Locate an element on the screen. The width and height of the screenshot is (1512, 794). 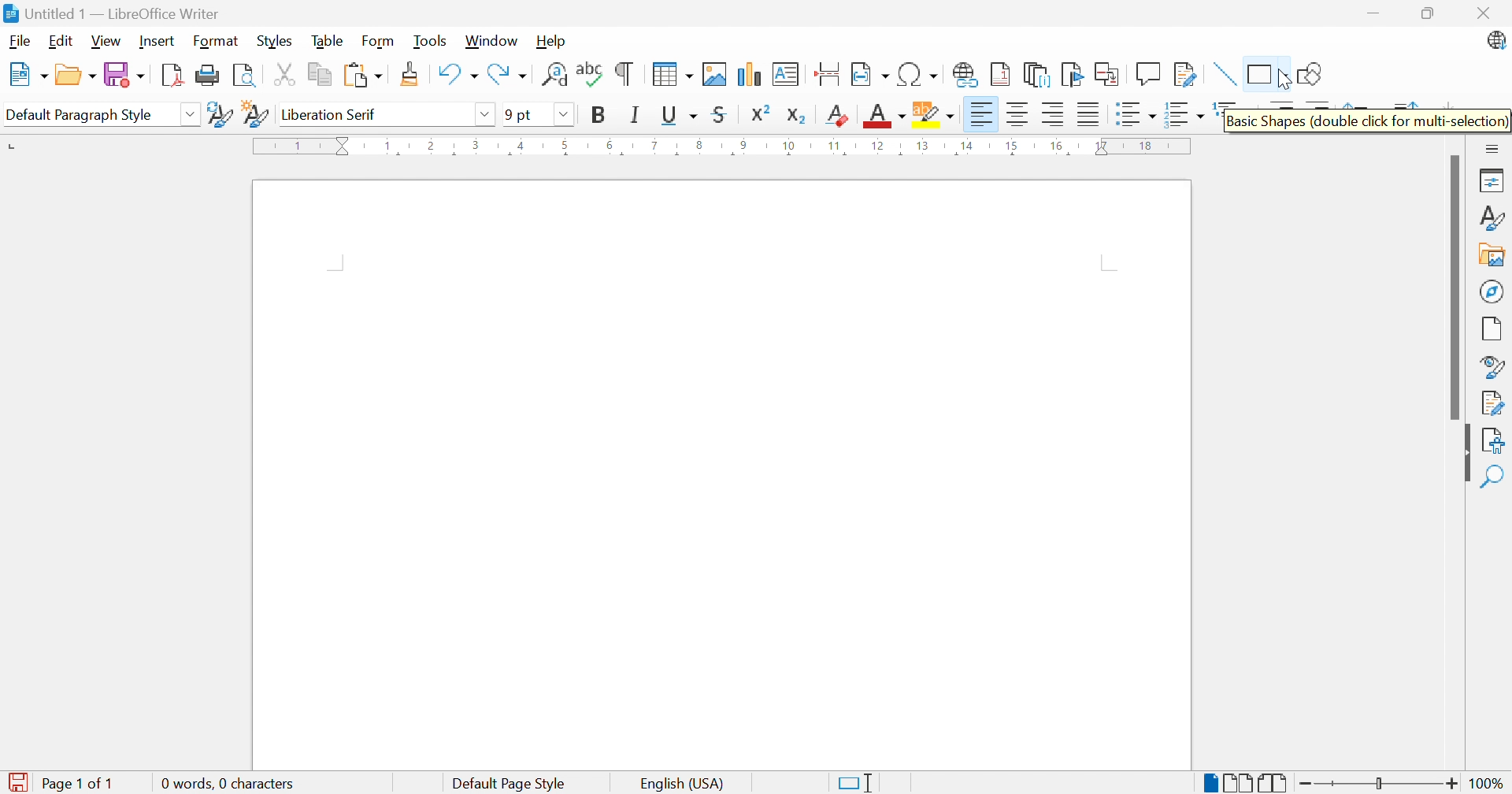
Hide is located at coordinates (1466, 455).